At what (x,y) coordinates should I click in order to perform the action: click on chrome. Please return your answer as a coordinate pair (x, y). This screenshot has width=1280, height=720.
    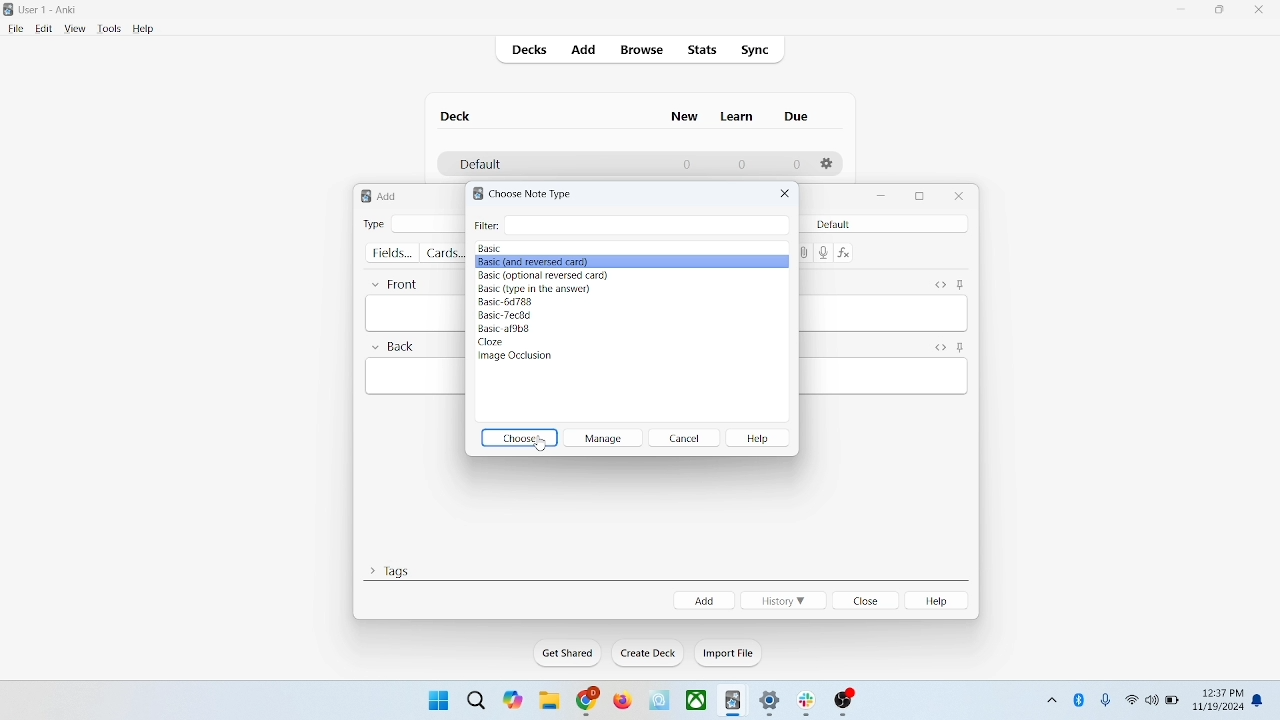
    Looking at the image, I should click on (588, 701).